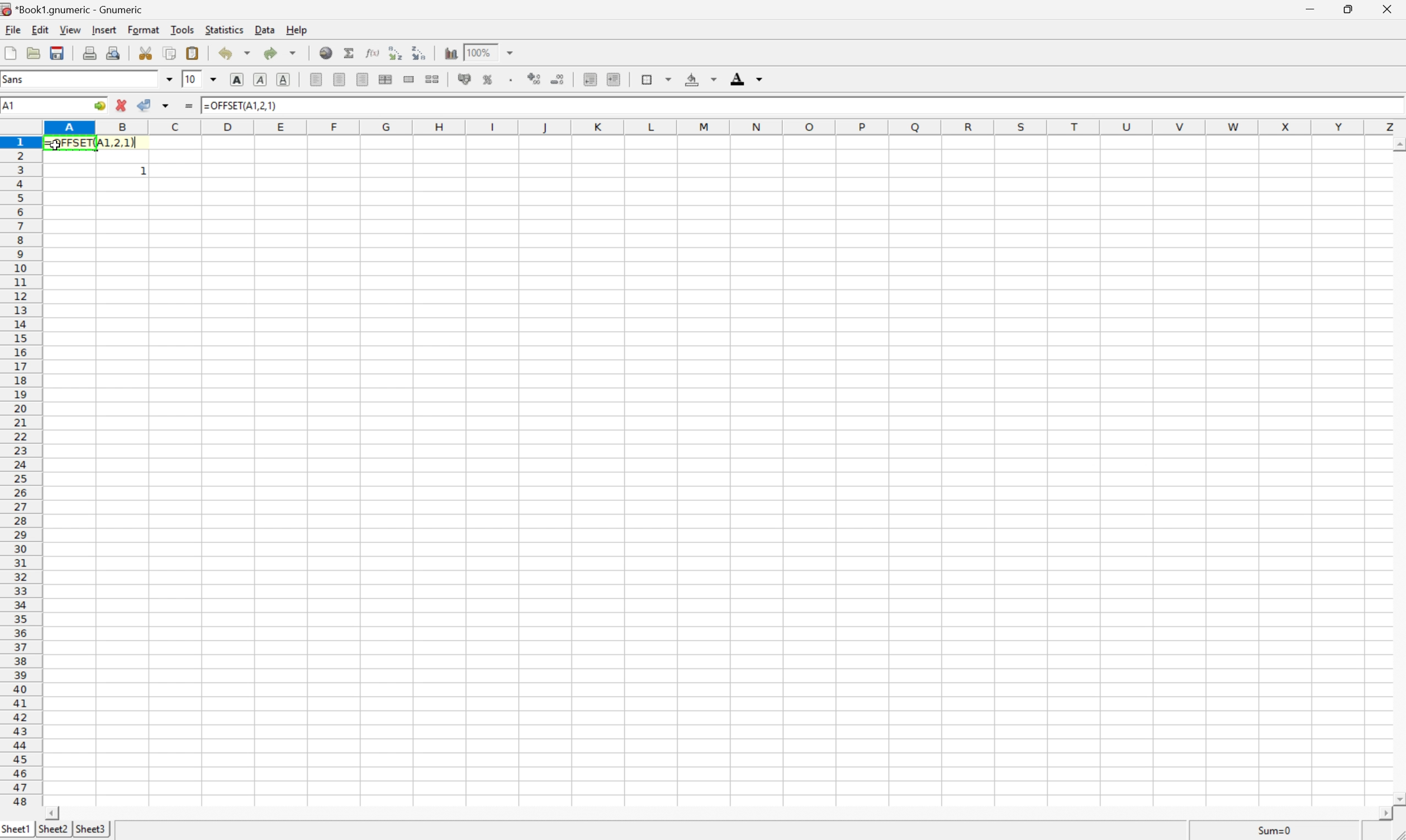 The height and width of the screenshot is (840, 1406). I want to click on bold, so click(237, 80).